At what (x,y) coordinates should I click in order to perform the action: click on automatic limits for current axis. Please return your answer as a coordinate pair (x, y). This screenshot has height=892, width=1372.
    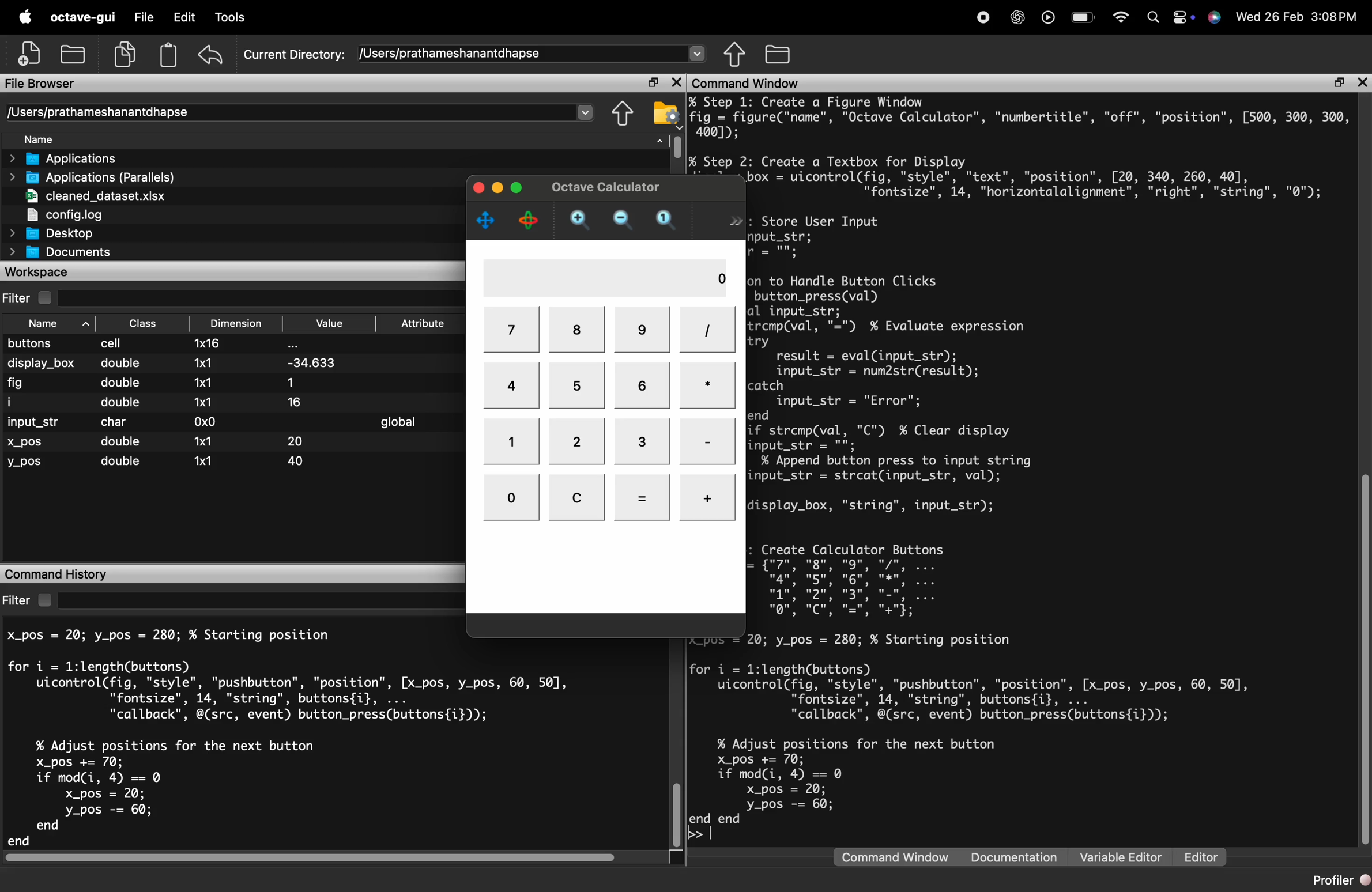
    Looking at the image, I should click on (666, 220).